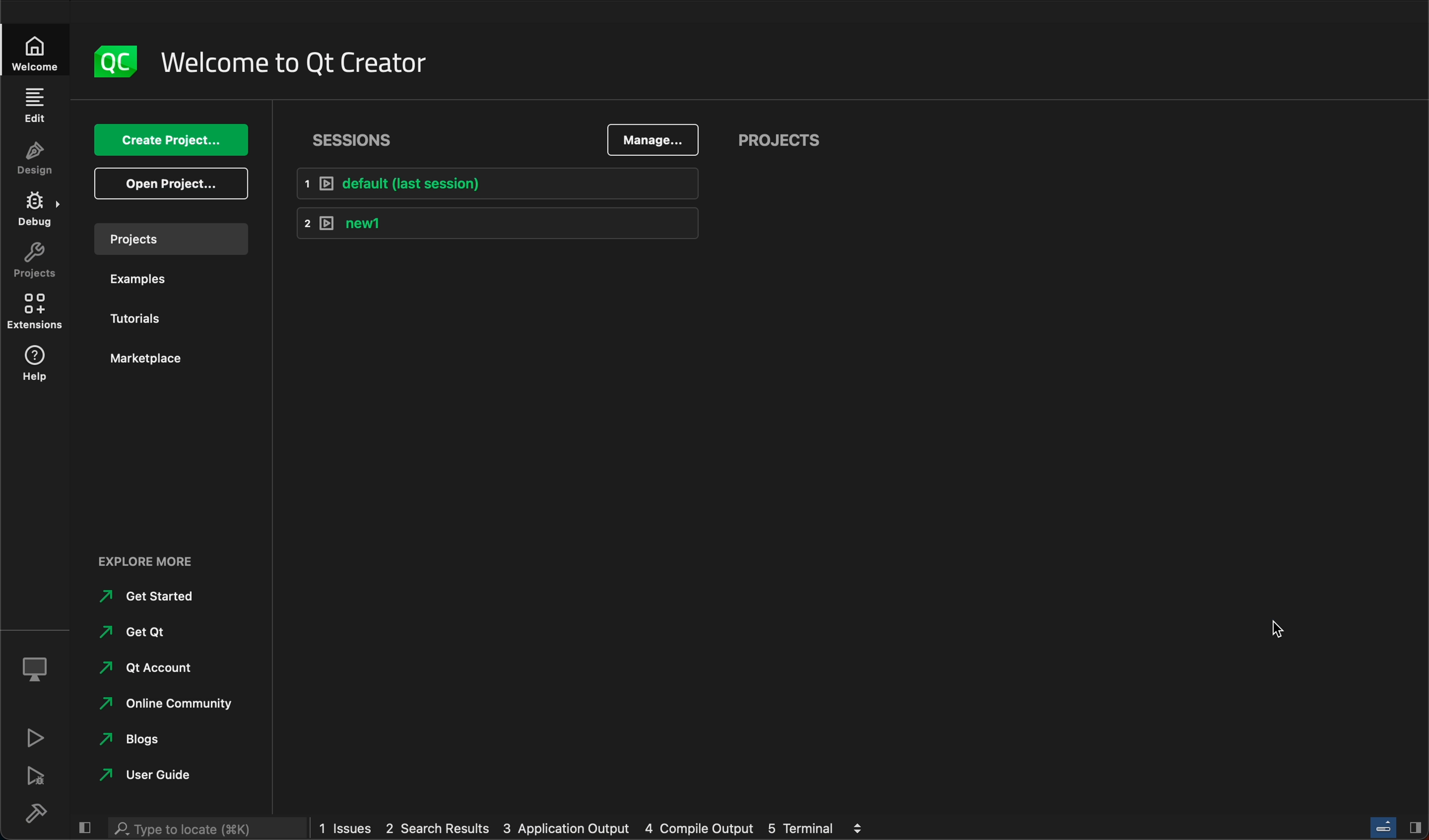  What do you see at coordinates (787, 134) in the screenshot?
I see `projects` at bounding box center [787, 134].